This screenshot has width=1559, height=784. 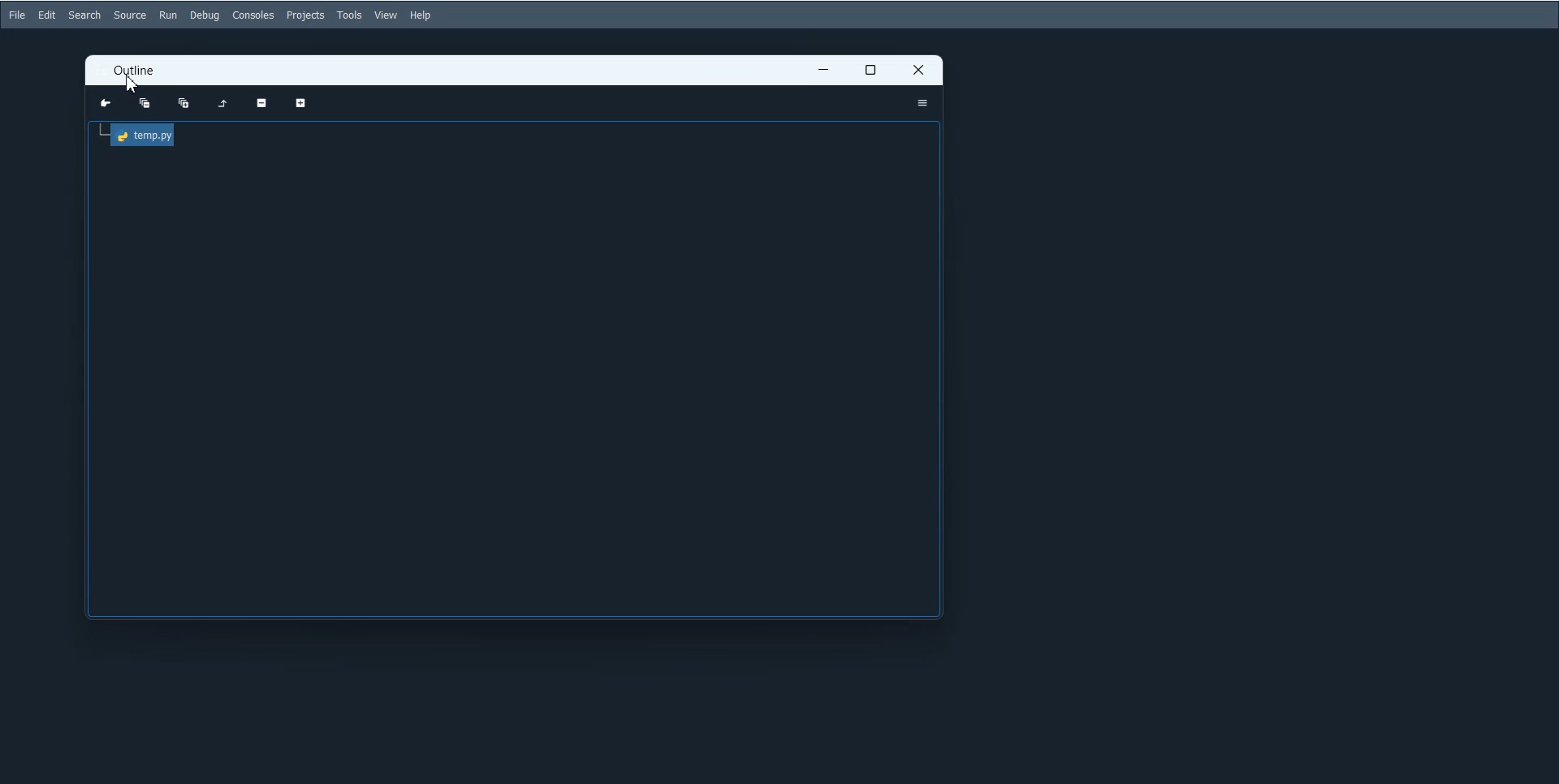 What do you see at coordinates (922, 103) in the screenshot?
I see `Options` at bounding box center [922, 103].